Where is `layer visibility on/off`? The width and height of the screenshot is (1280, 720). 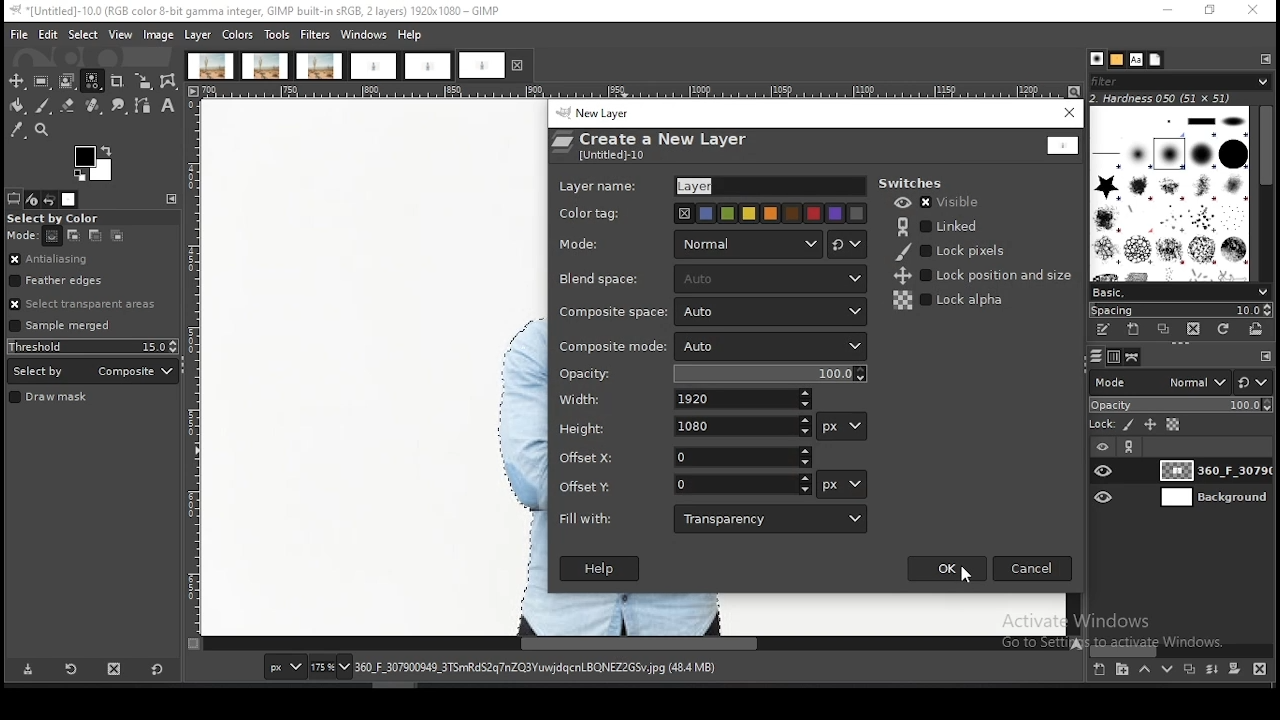
layer visibility on/off is located at coordinates (1103, 448).